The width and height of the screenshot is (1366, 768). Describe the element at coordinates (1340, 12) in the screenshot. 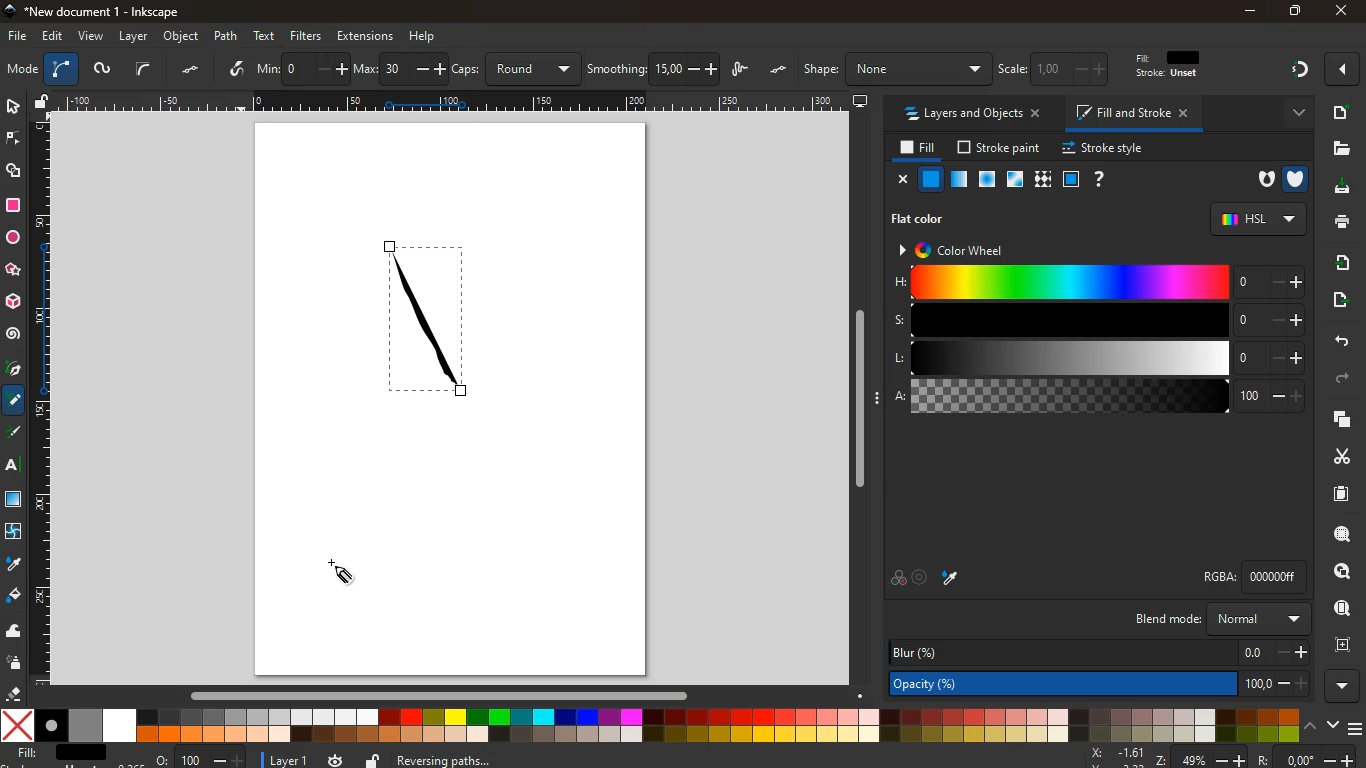

I see `close` at that location.